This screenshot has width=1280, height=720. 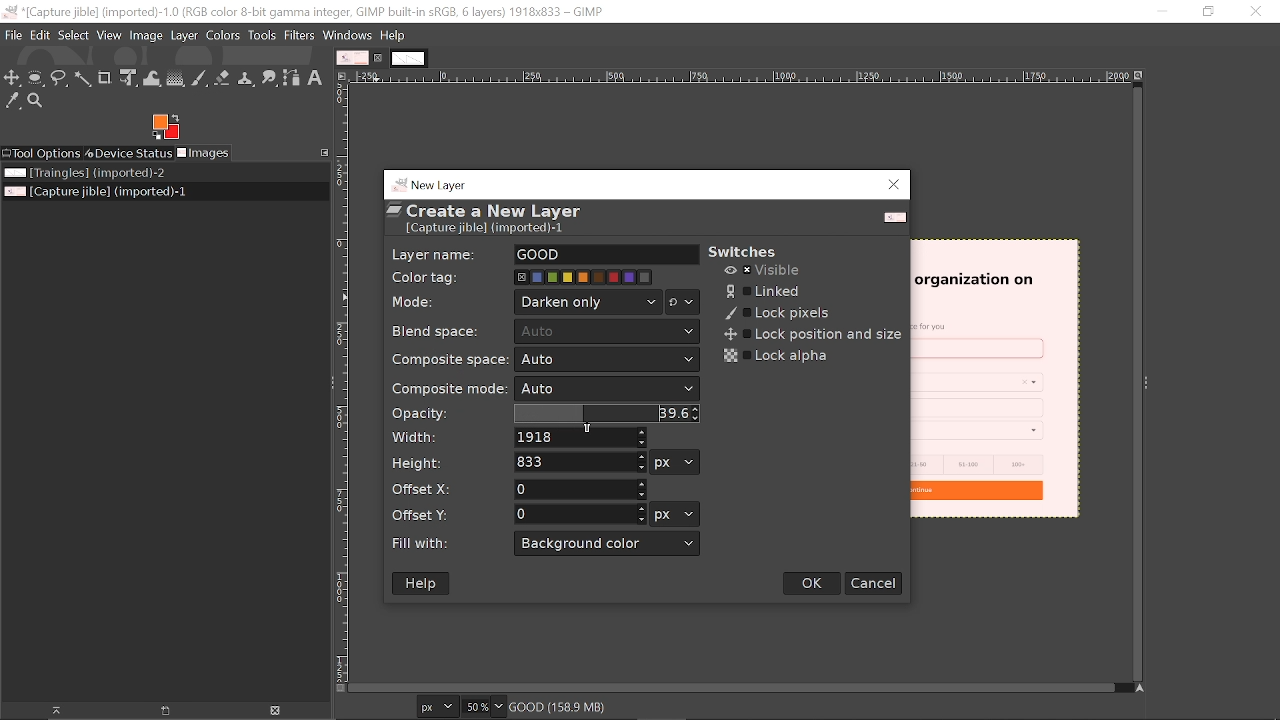 I want to click on Images, so click(x=204, y=153).